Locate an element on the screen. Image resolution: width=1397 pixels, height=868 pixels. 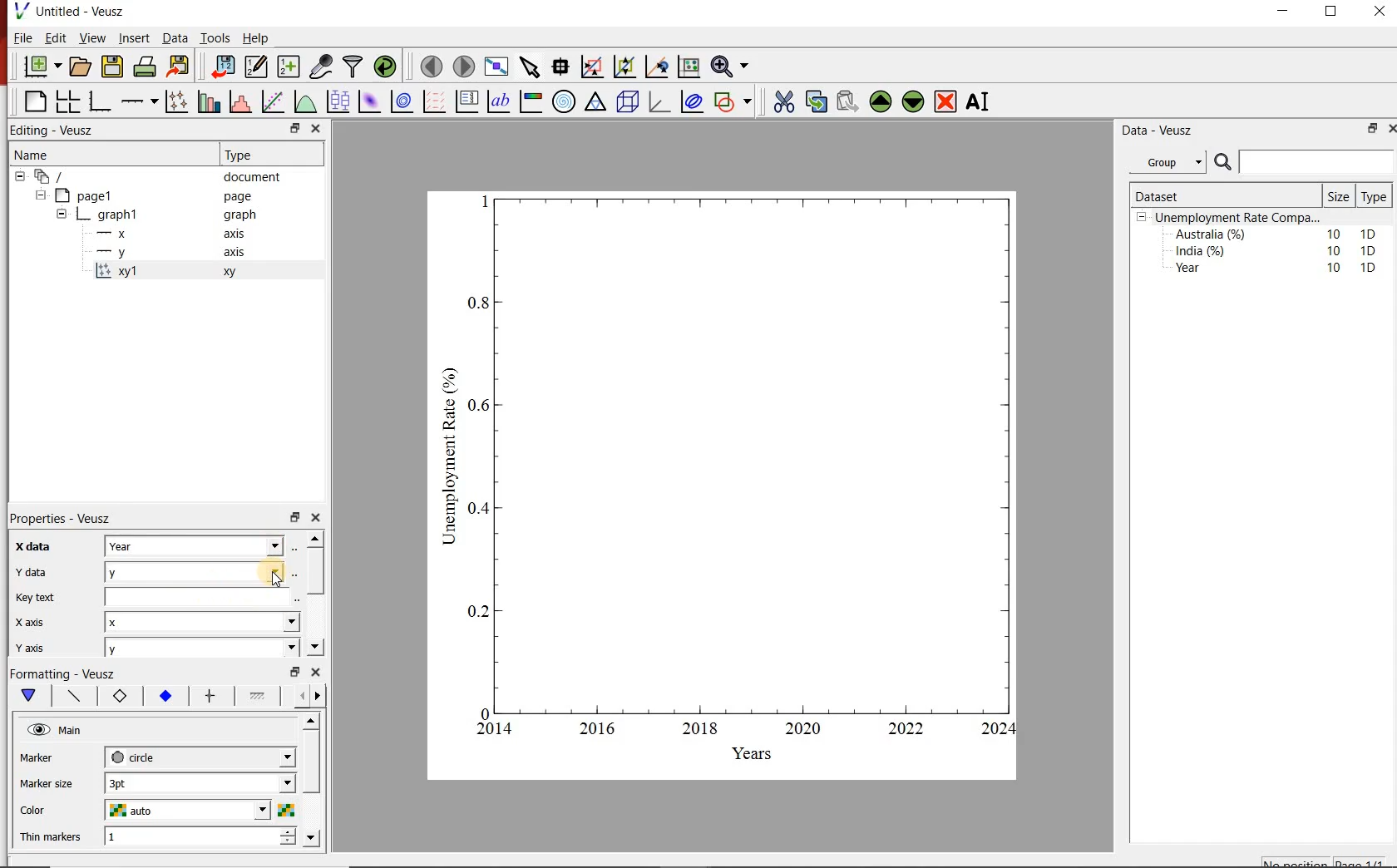
y is located at coordinates (198, 649).